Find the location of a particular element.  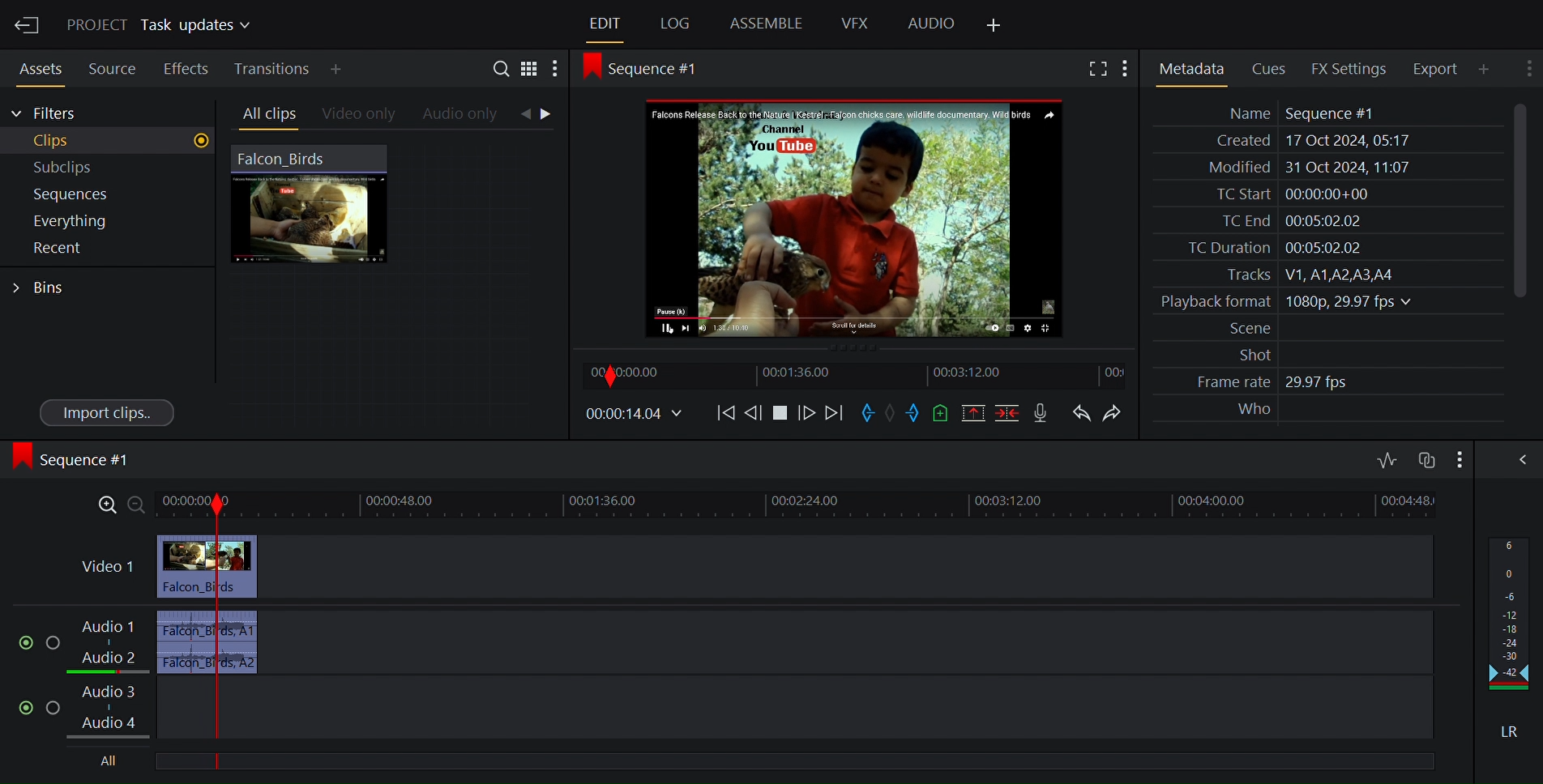

Assets is located at coordinates (39, 69).